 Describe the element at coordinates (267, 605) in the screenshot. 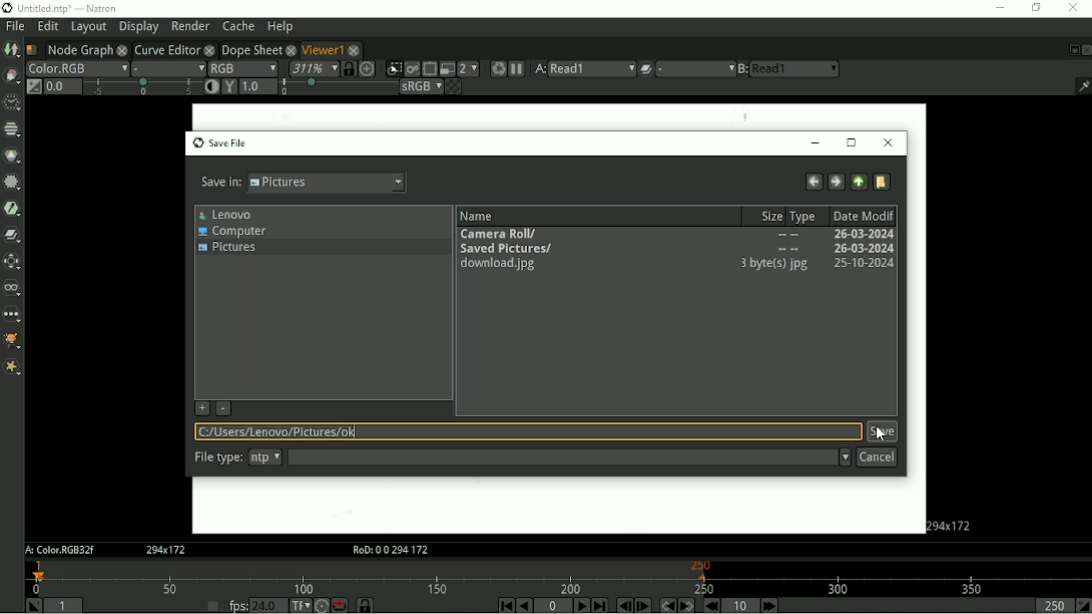

I see `24` at that location.